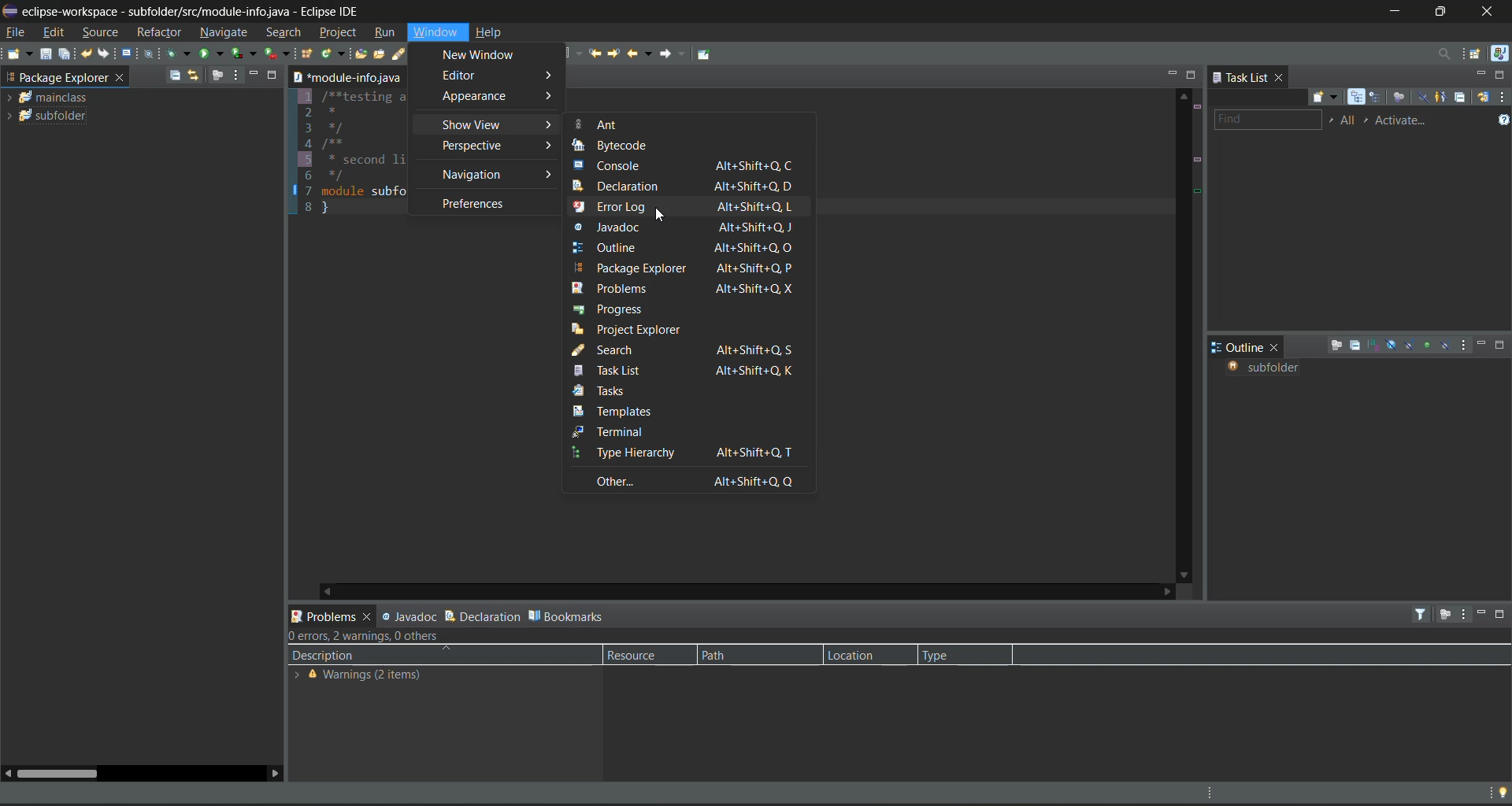  I want to click on hide fields, so click(1393, 346).